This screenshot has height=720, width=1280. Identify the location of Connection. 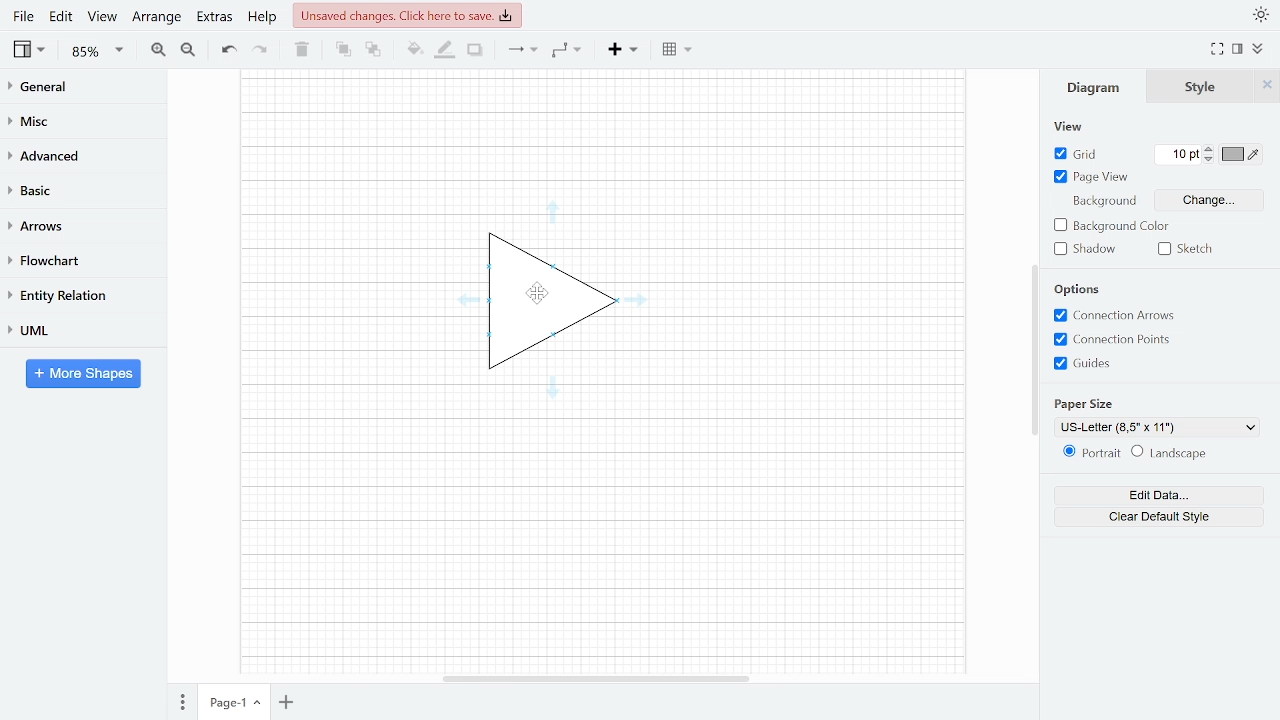
(522, 49).